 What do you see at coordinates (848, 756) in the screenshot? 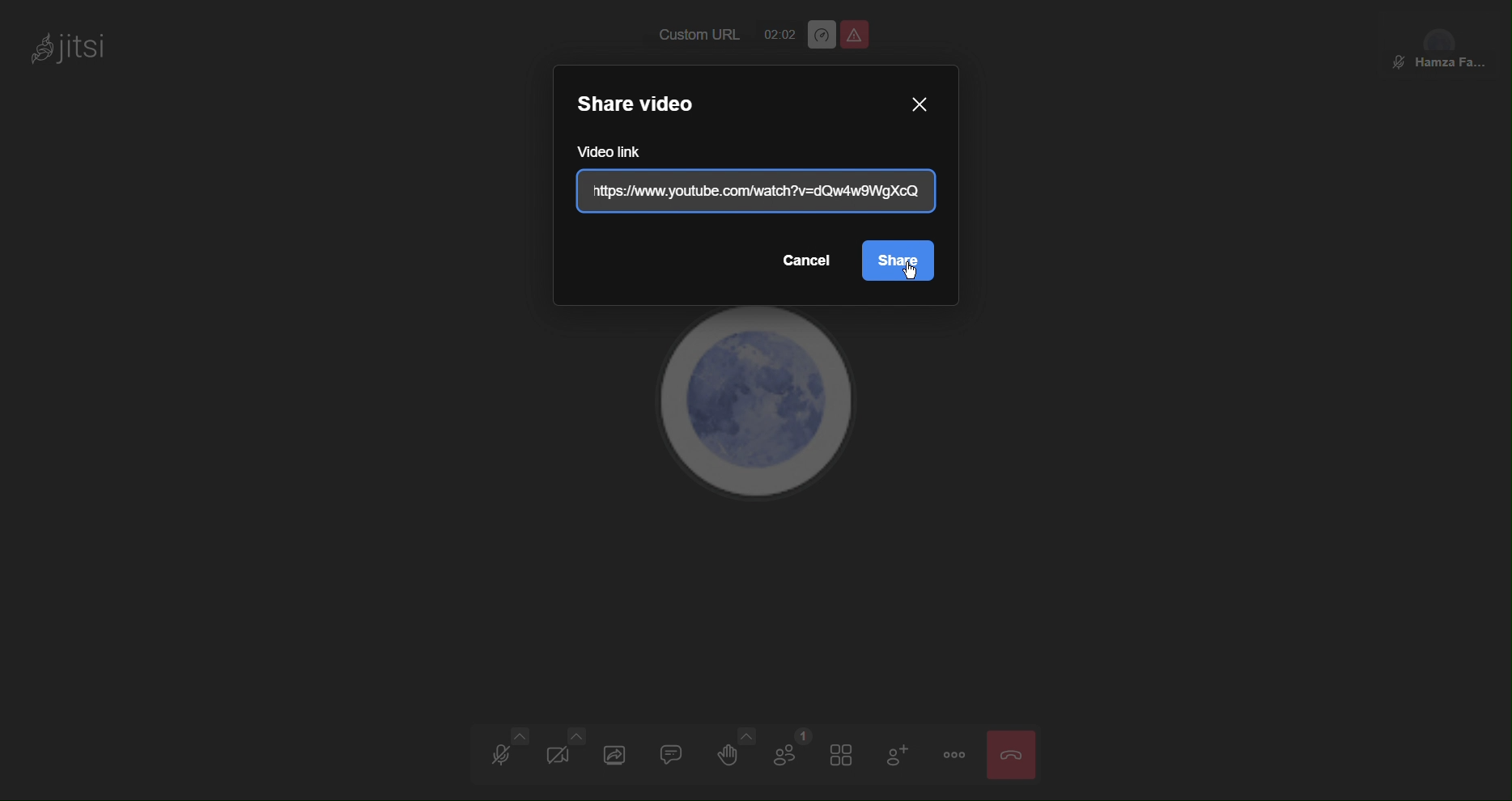
I see `Tile View` at bounding box center [848, 756].